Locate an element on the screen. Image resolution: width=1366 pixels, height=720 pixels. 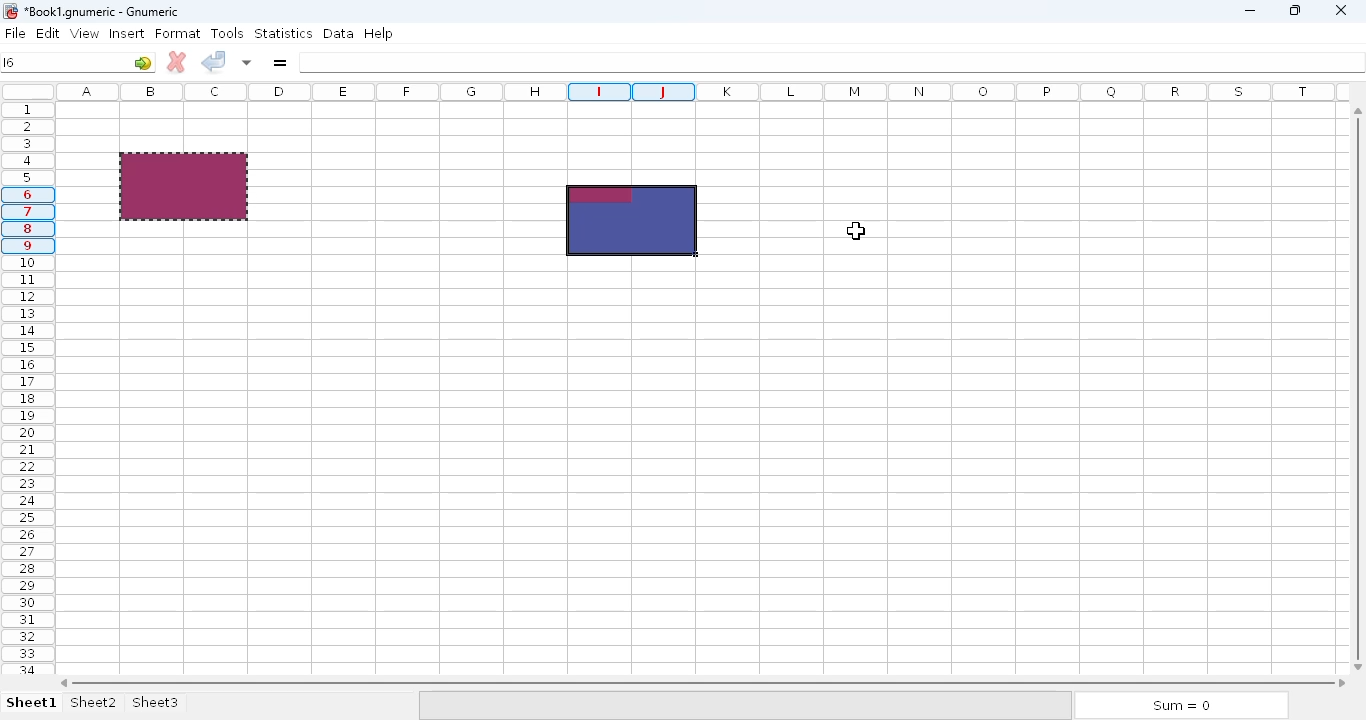
rows is located at coordinates (26, 388).